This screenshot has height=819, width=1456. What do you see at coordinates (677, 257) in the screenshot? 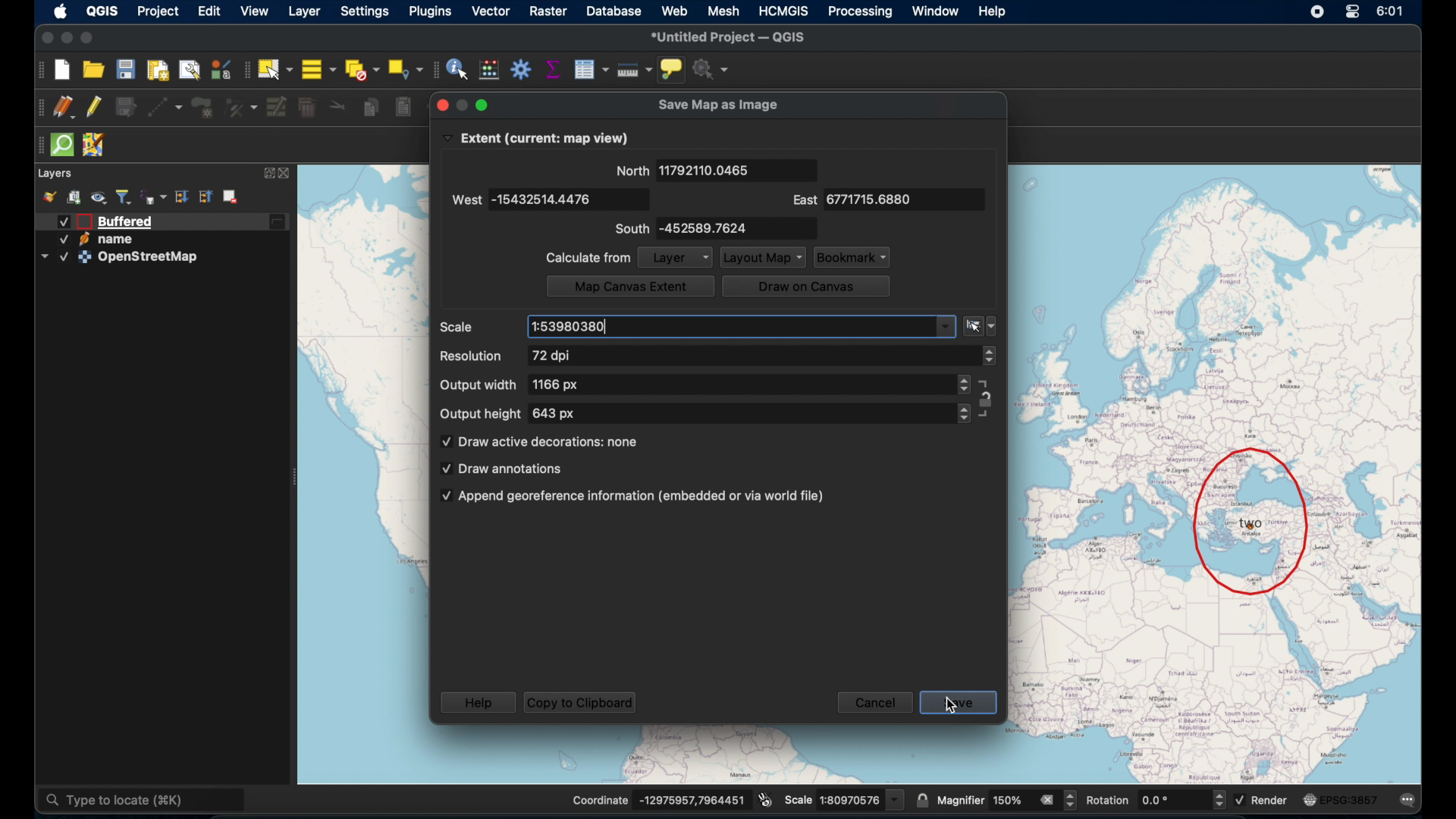
I see `layer` at bounding box center [677, 257].